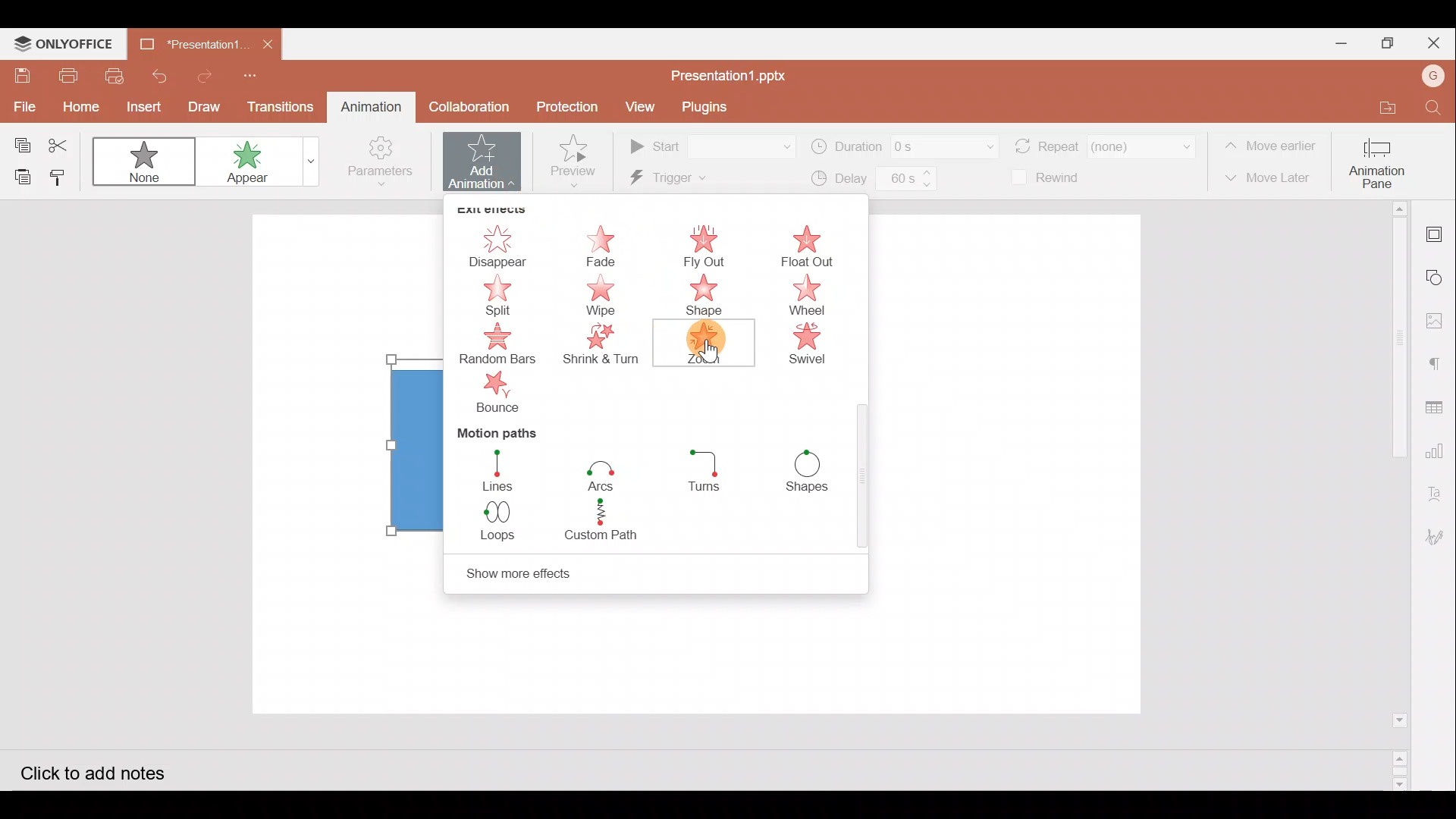 This screenshot has height=819, width=1456. Describe the element at coordinates (902, 145) in the screenshot. I see `Duration` at that location.